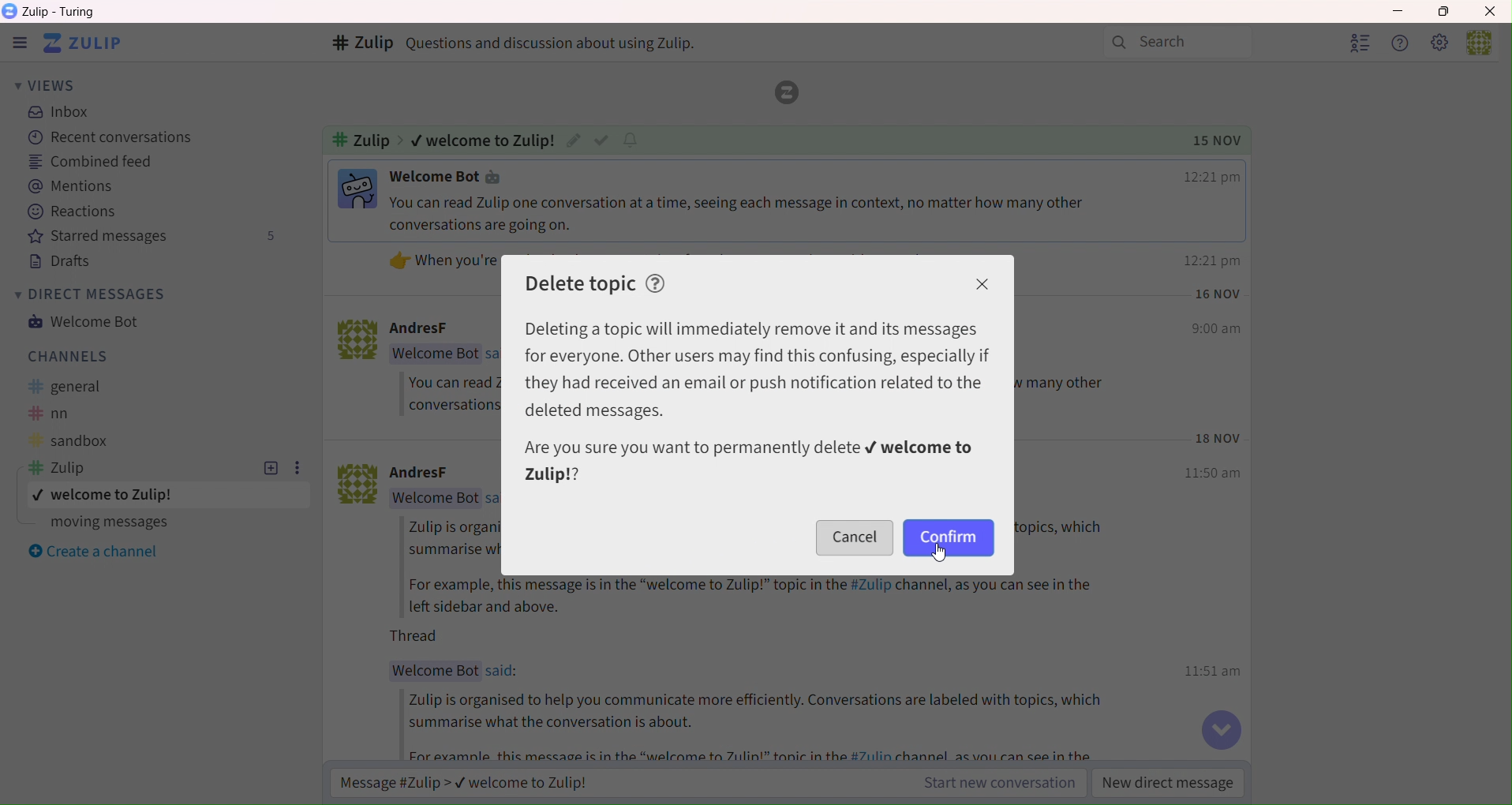  Describe the element at coordinates (62, 357) in the screenshot. I see `Channels` at that location.